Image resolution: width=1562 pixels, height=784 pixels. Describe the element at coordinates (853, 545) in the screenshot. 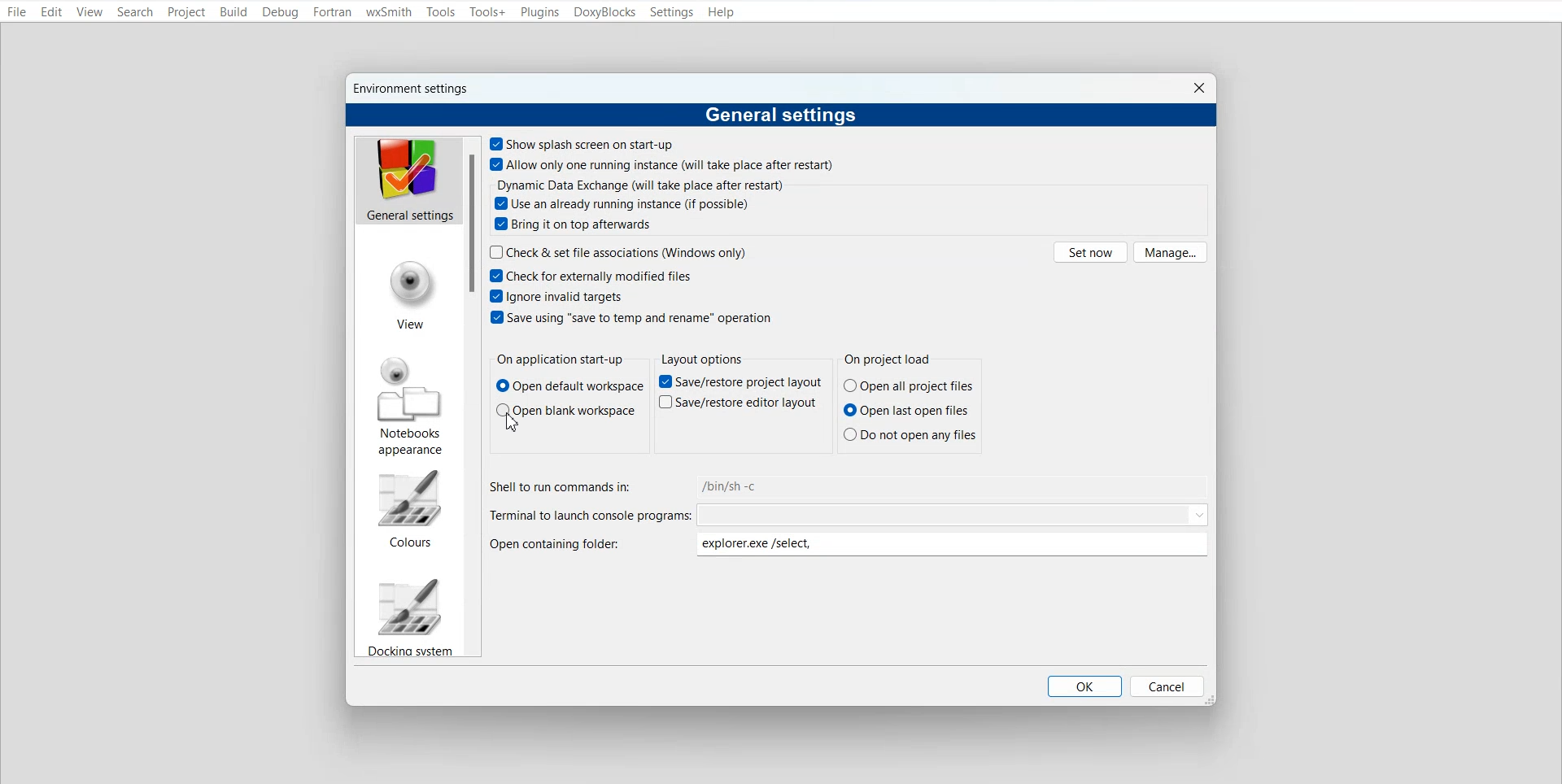

I see `Open containing folder` at that location.